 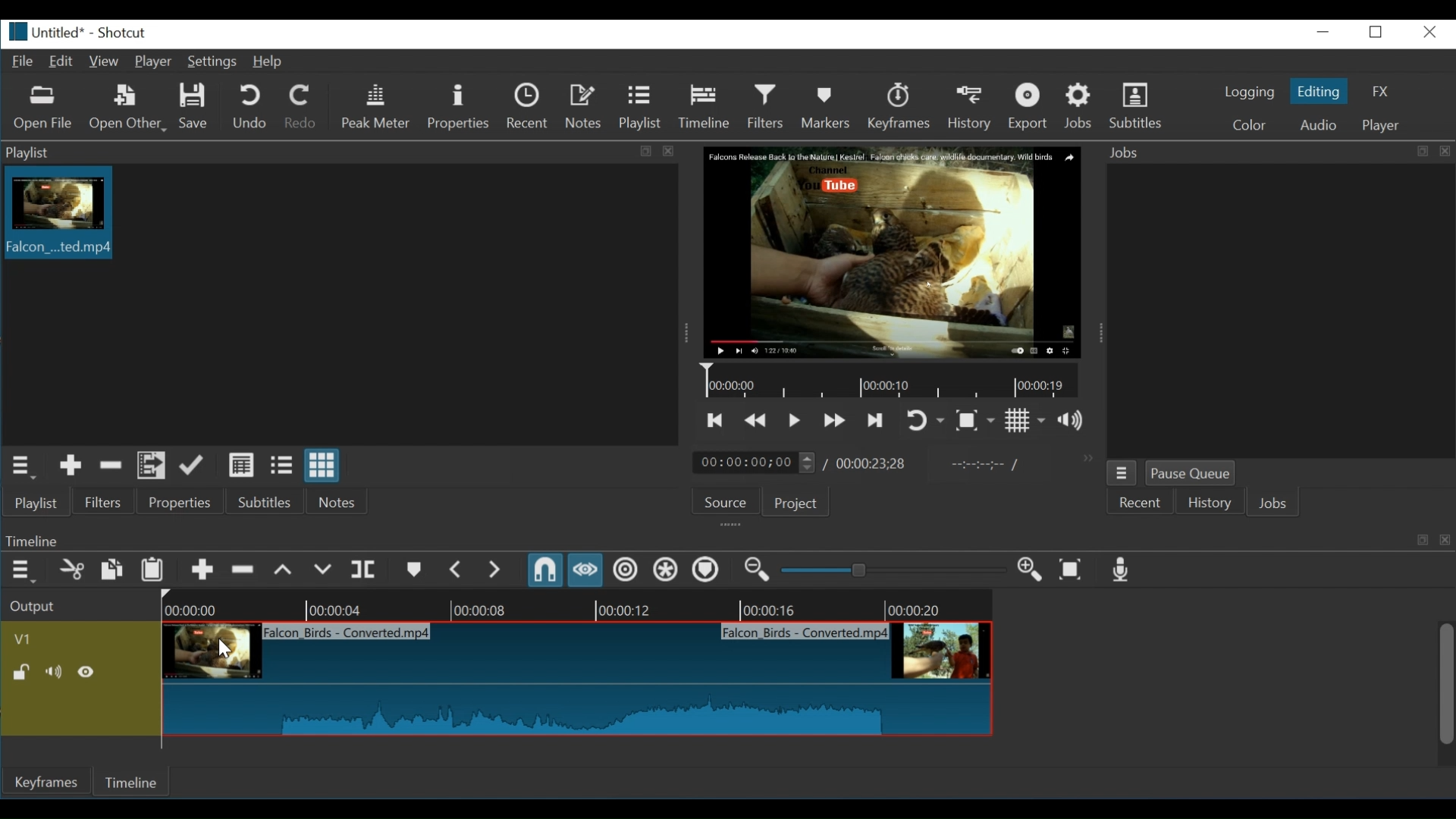 What do you see at coordinates (799, 502) in the screenshot?
I see `Project` at bounding box center [799, 502].